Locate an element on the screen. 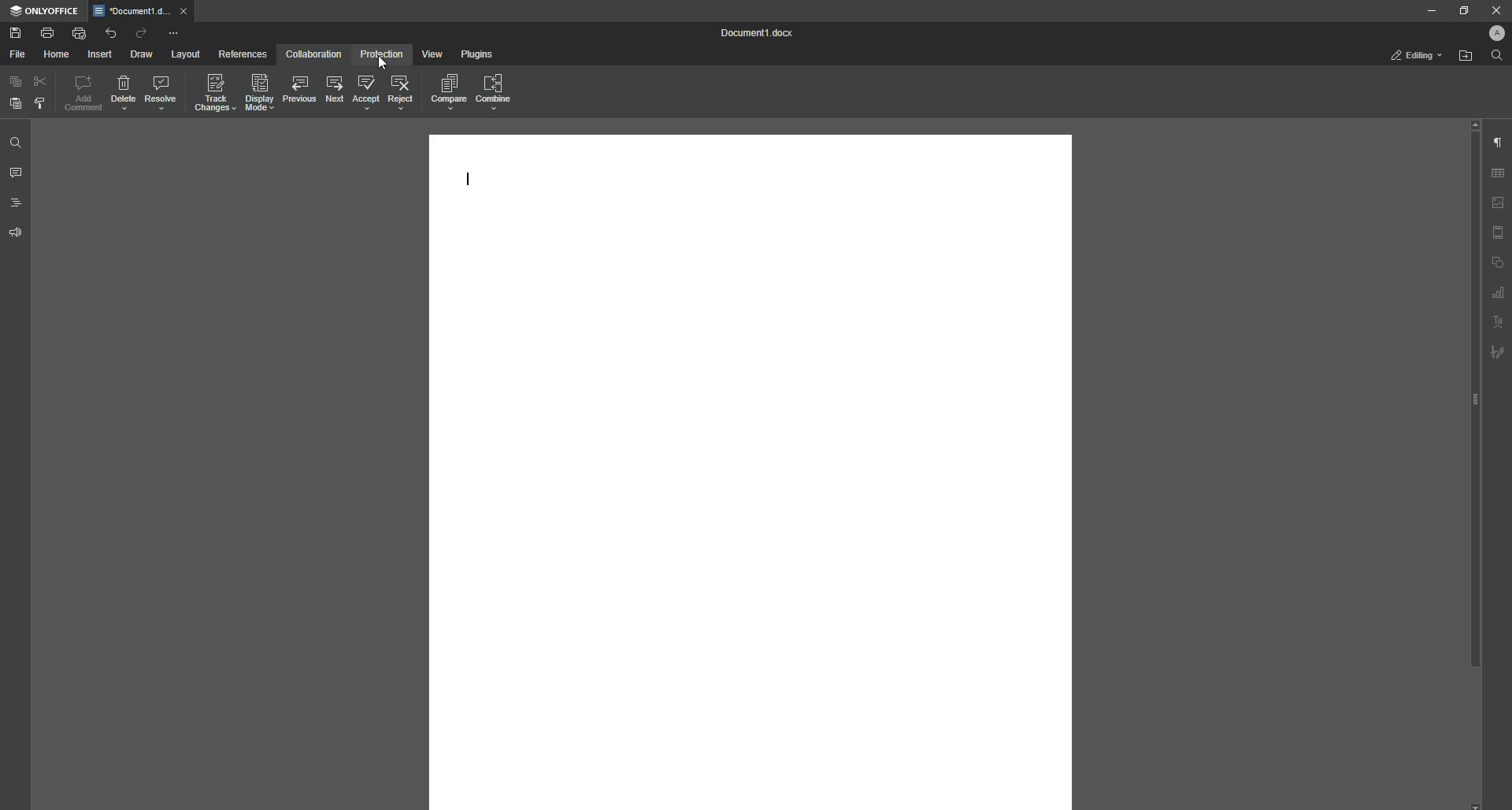 Image resolution: width=1512 pixels, height=810 pixels. Print is located at coordinates (45, 33).